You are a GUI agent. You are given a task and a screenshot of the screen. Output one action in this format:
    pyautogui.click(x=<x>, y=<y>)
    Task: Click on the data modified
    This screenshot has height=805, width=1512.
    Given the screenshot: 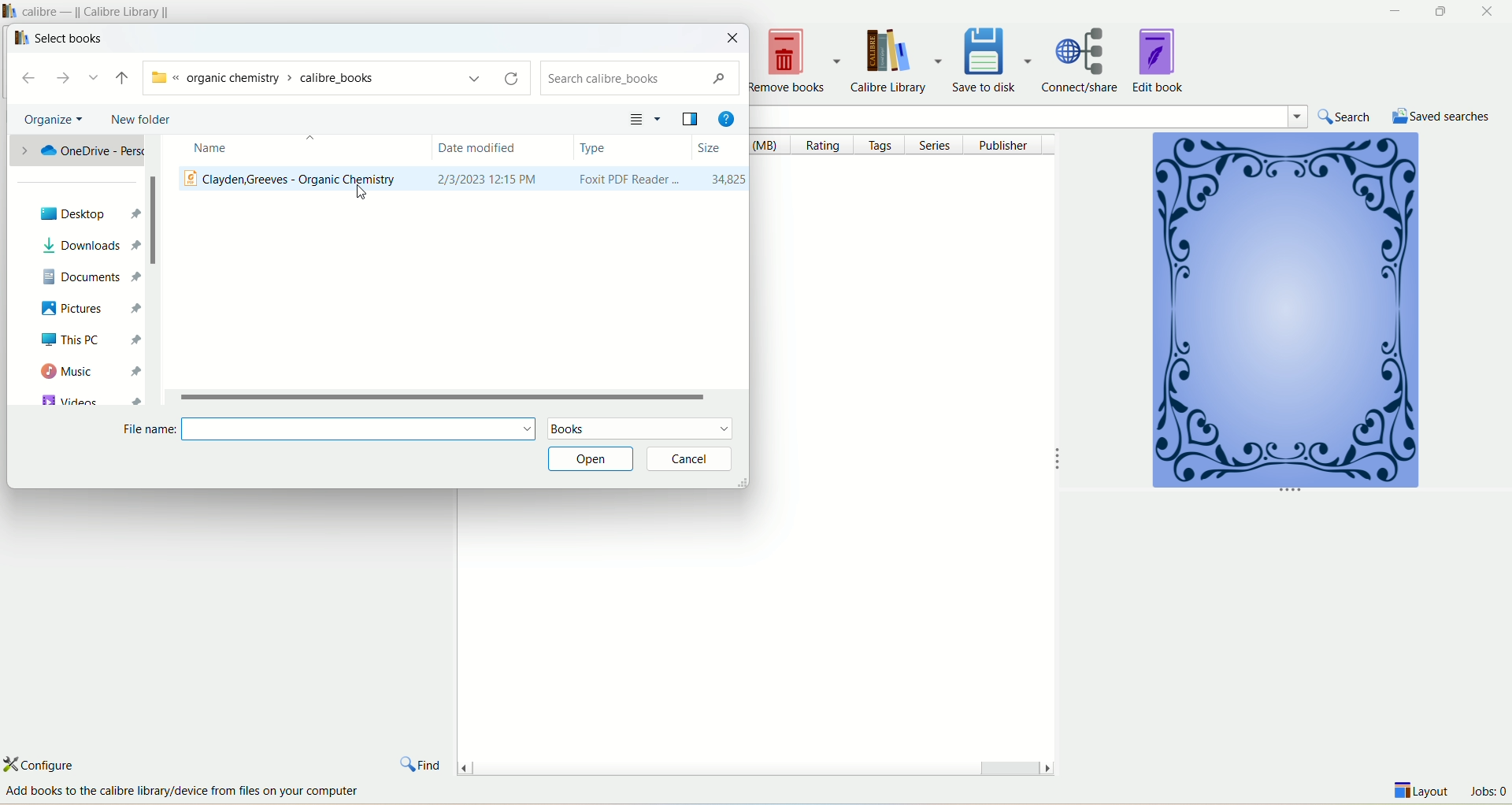 What is the action you would take?
    pyautogui.click(x=503, y=149)
    